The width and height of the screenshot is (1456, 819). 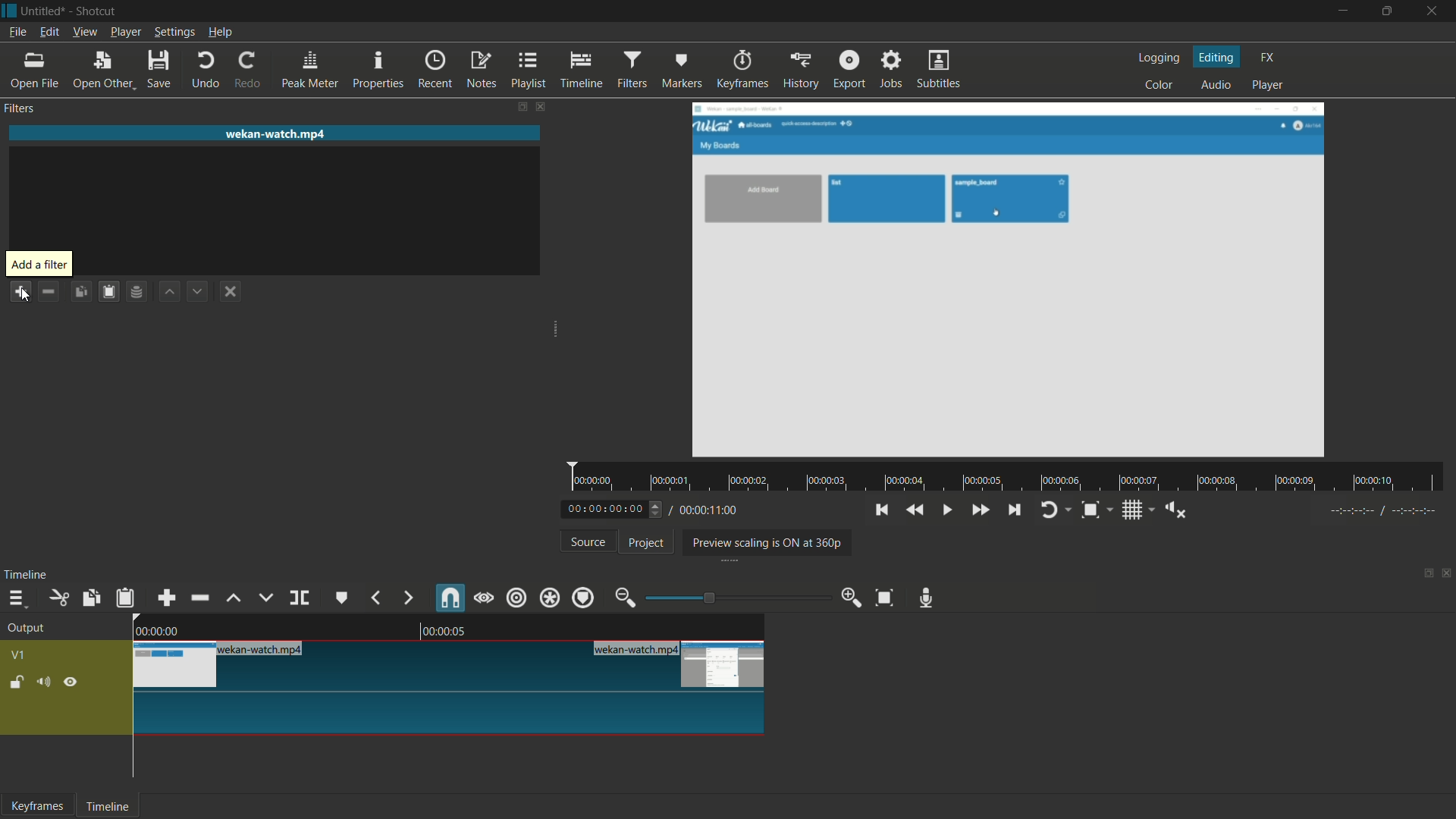 I want to click on paste, so click(x=126, y=599).